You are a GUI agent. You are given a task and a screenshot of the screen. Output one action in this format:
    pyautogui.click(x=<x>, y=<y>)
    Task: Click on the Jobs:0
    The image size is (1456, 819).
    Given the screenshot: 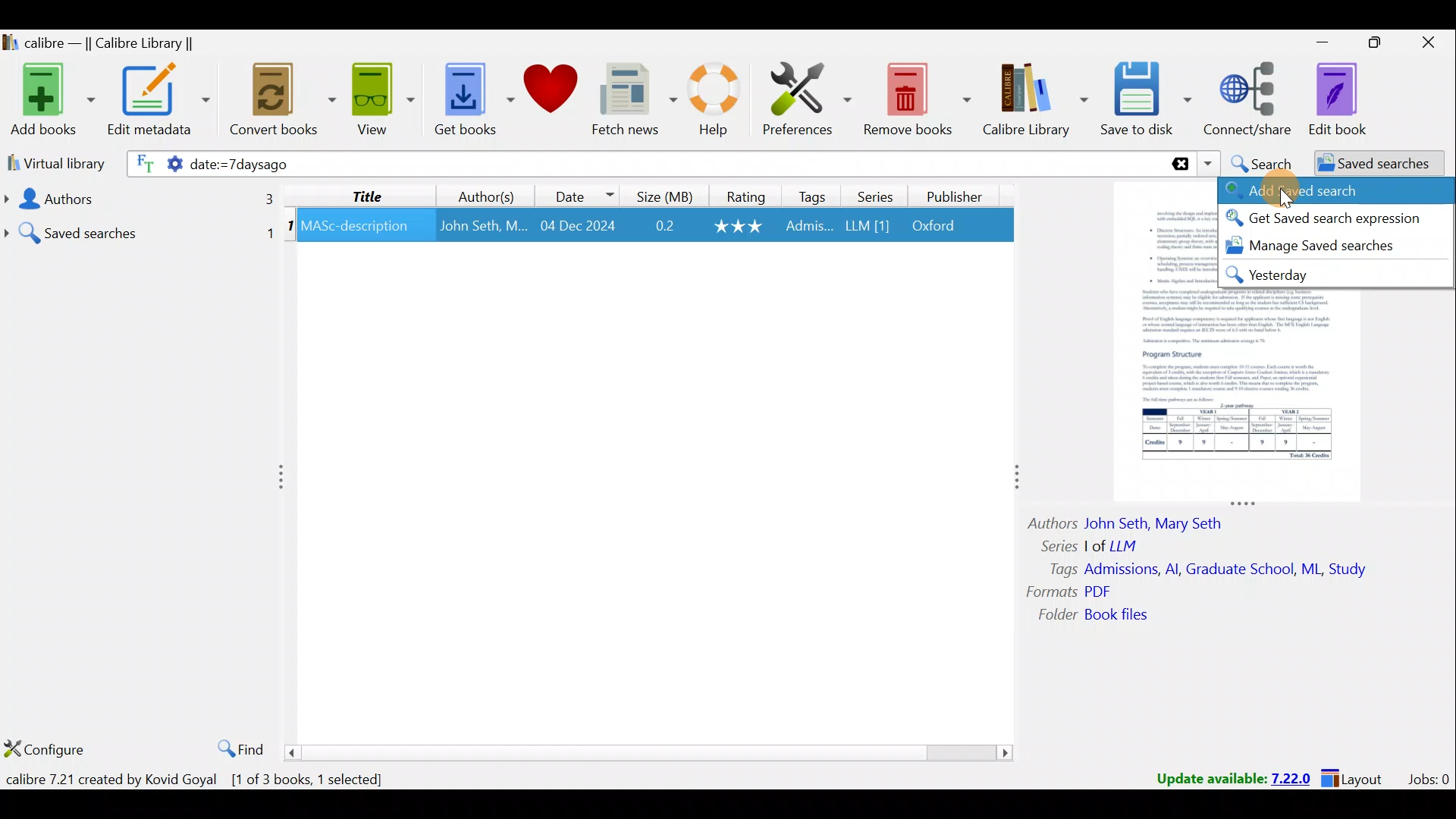 What is the action you would take?
    pyautogui.click(x=1428, y=778)
    